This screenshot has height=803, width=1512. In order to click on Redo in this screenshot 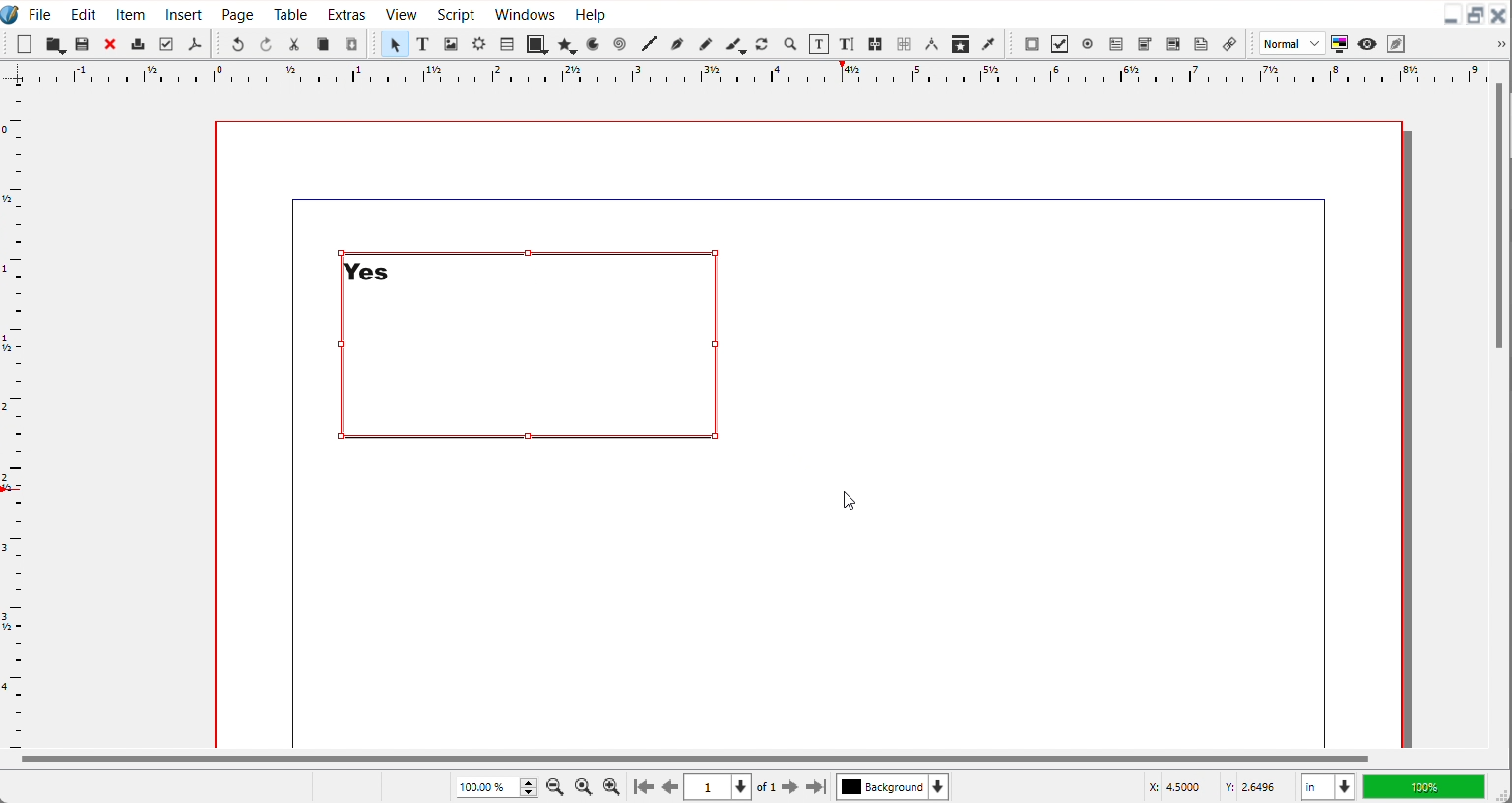, I will do `click(265, 43)`.